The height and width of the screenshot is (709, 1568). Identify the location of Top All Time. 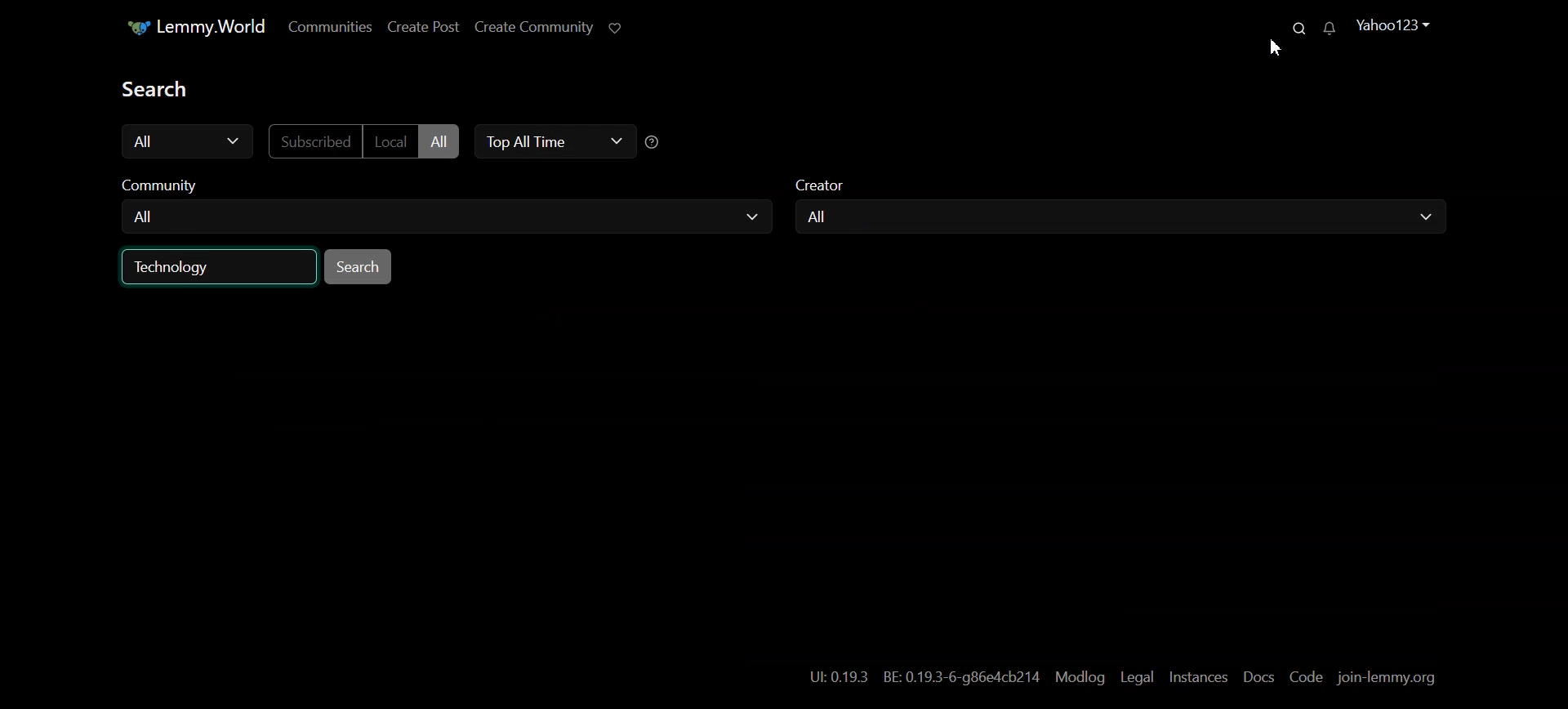
(554, 143).